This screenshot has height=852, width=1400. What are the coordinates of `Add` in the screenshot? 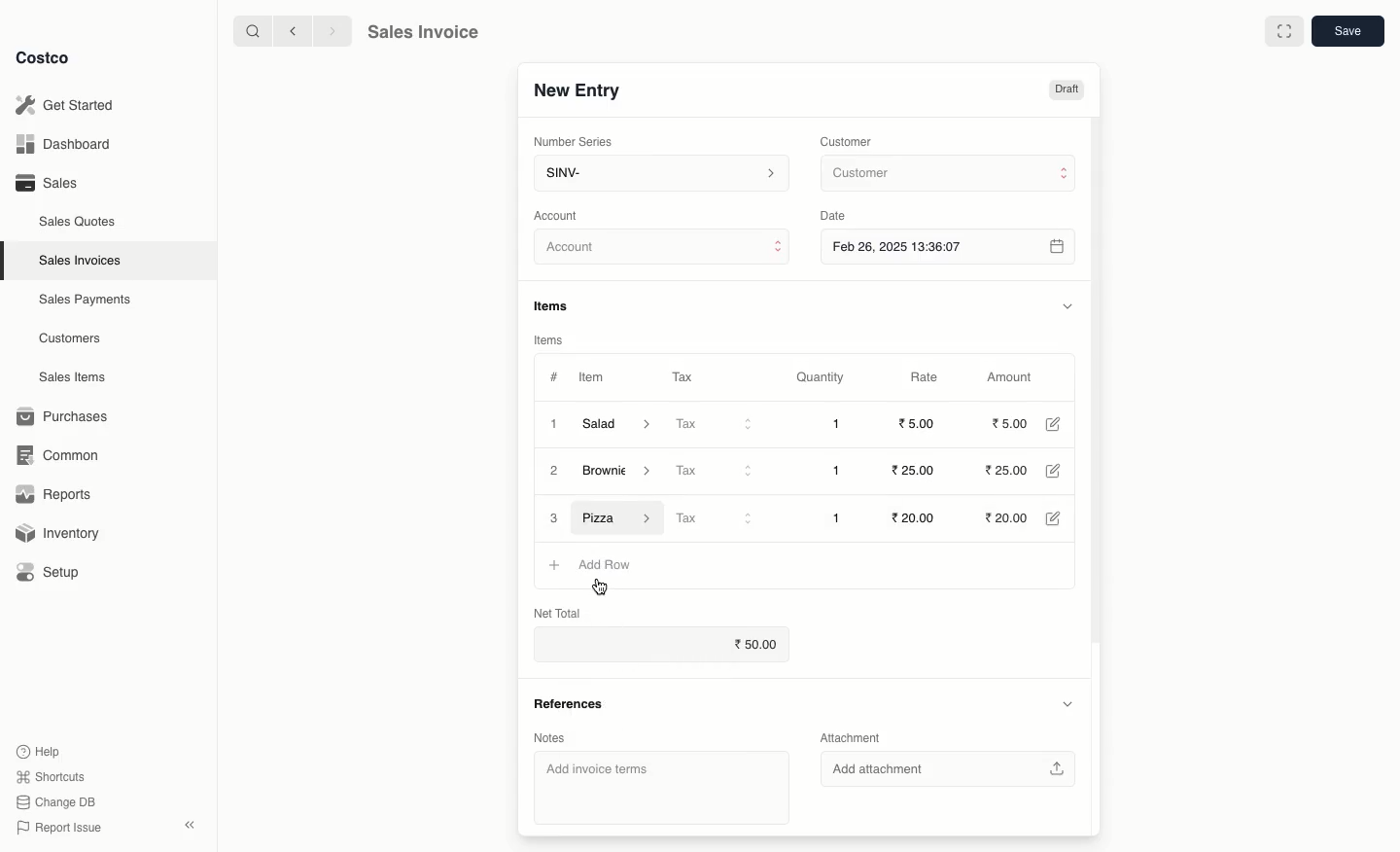 It's located at (552, 567).